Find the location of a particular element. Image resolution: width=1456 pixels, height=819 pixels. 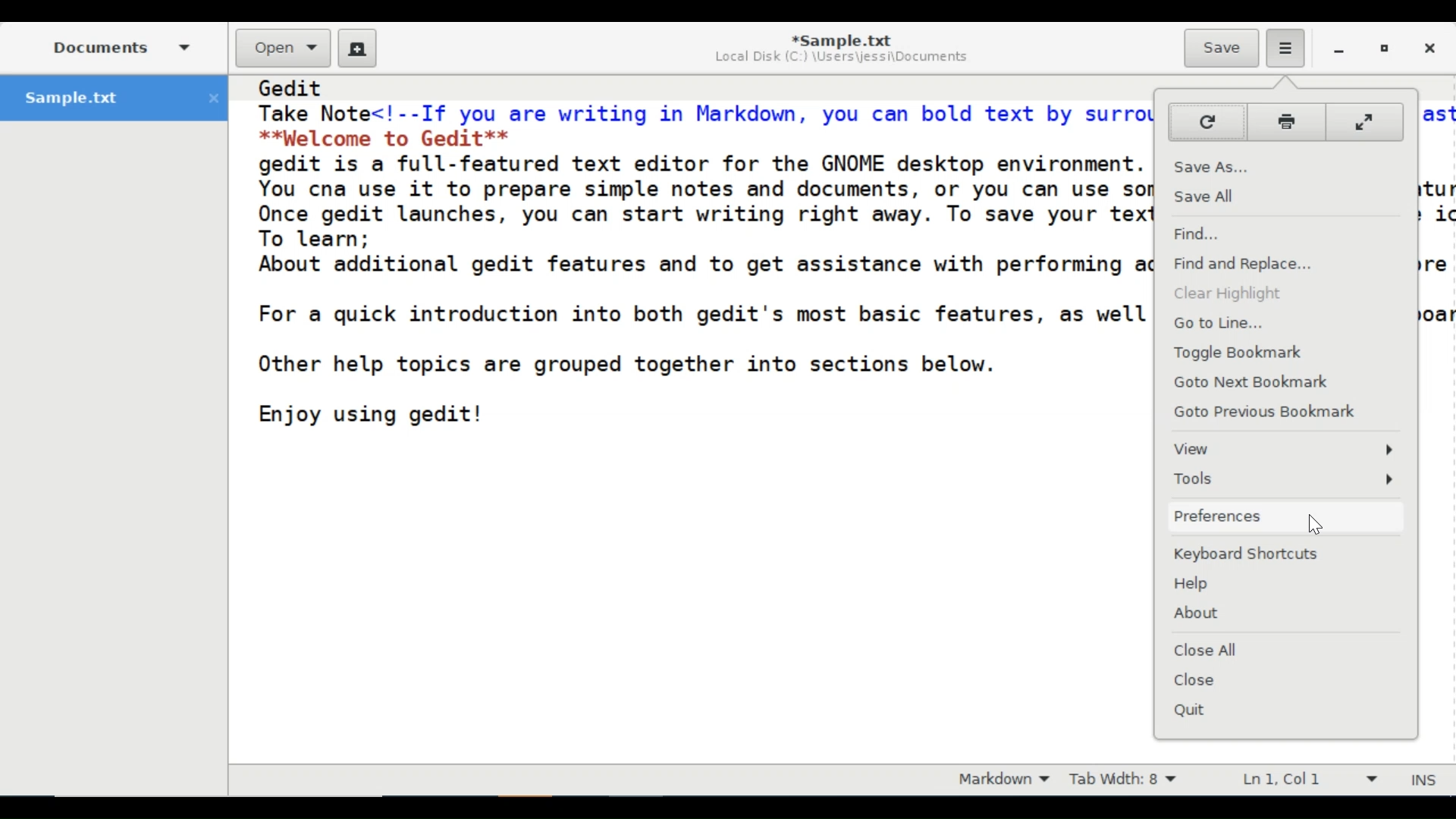

Close is located at coordinates (1430, 45).